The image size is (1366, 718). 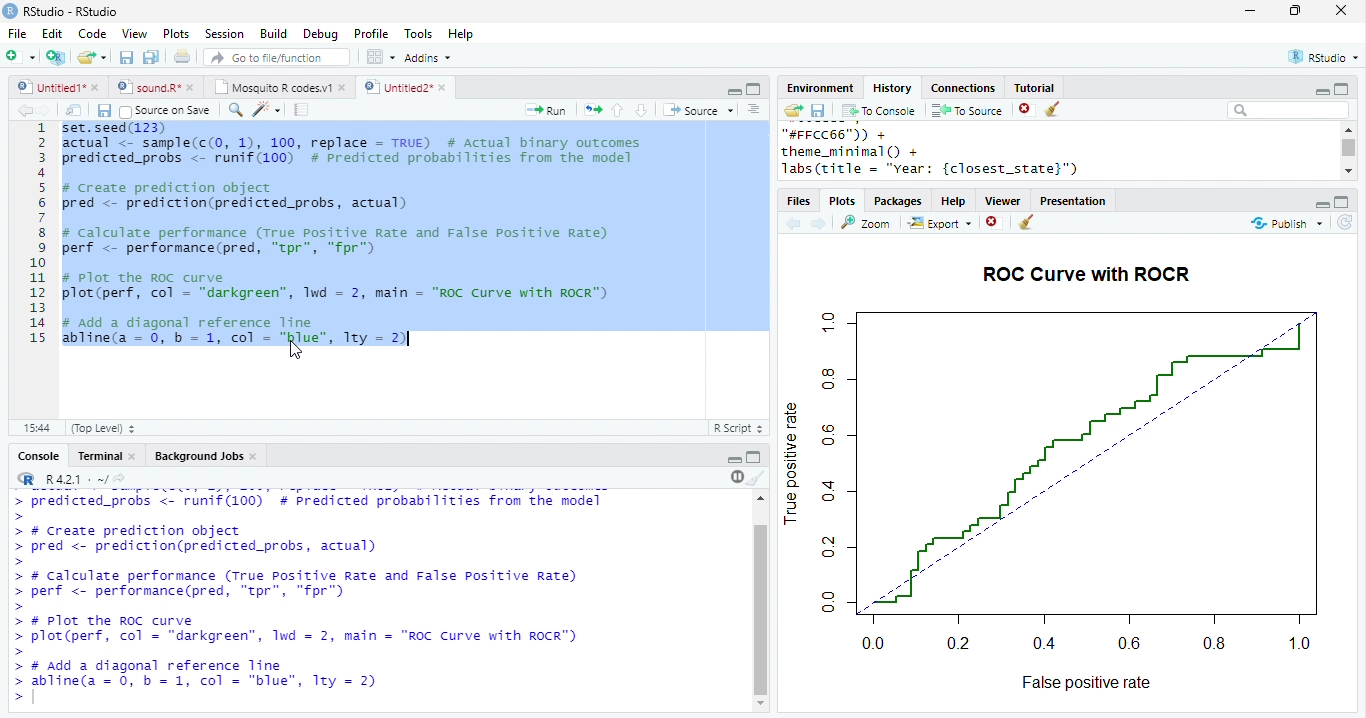 What do you see at coordinates (818, 111) in the screenshot?
I see `save` at bounding box center [818, 111].